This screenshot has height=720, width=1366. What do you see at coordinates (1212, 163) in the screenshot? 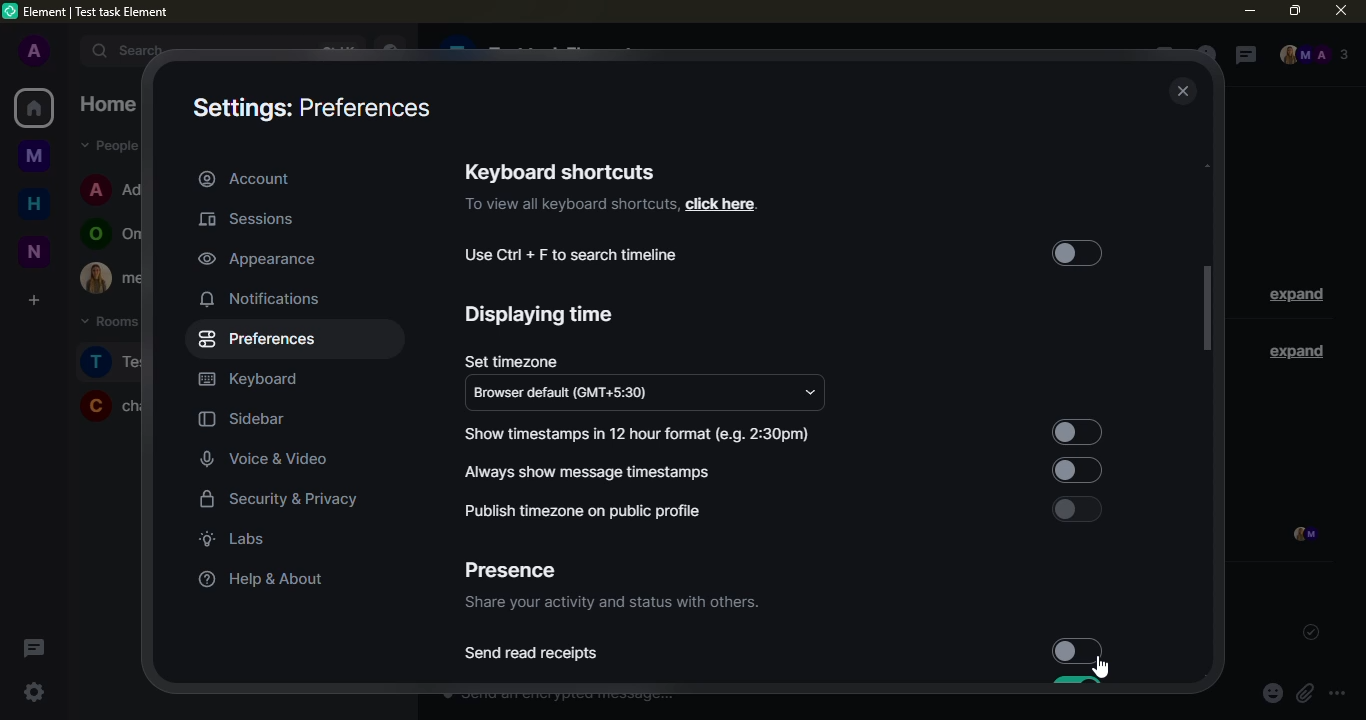
I see `move up` at bounding box center [1212, 163].